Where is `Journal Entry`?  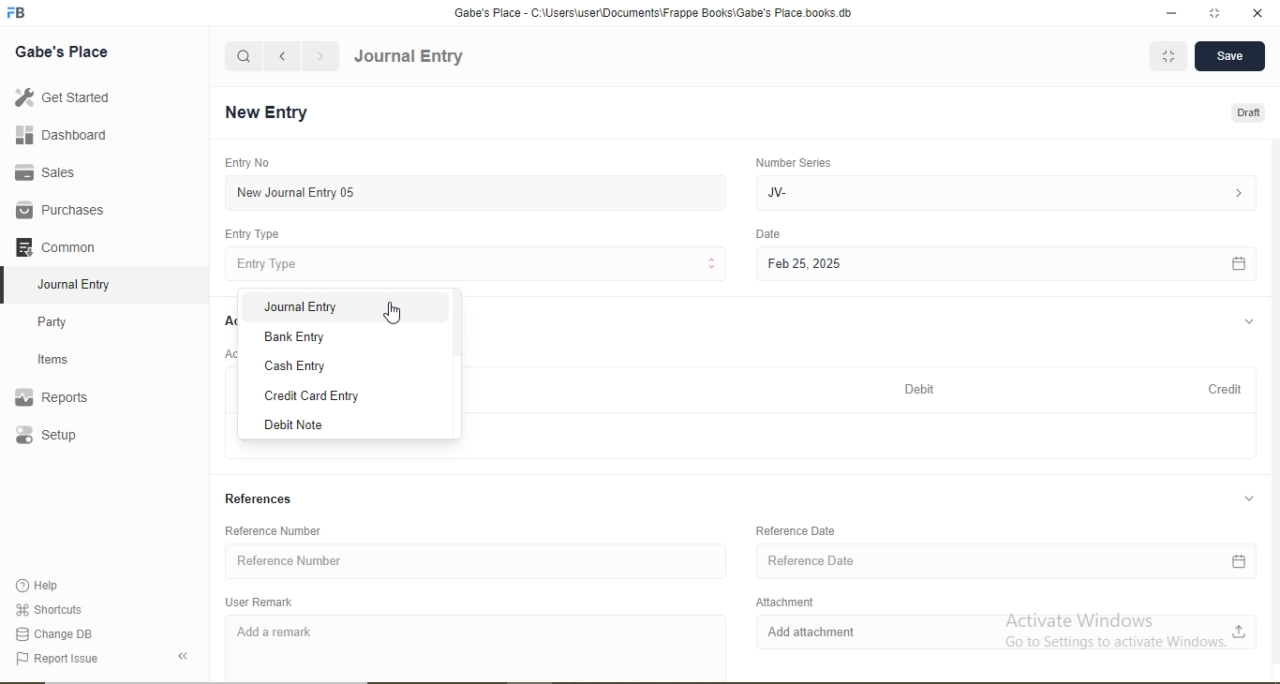 Journal Entry is located at coordinates (409, 57).